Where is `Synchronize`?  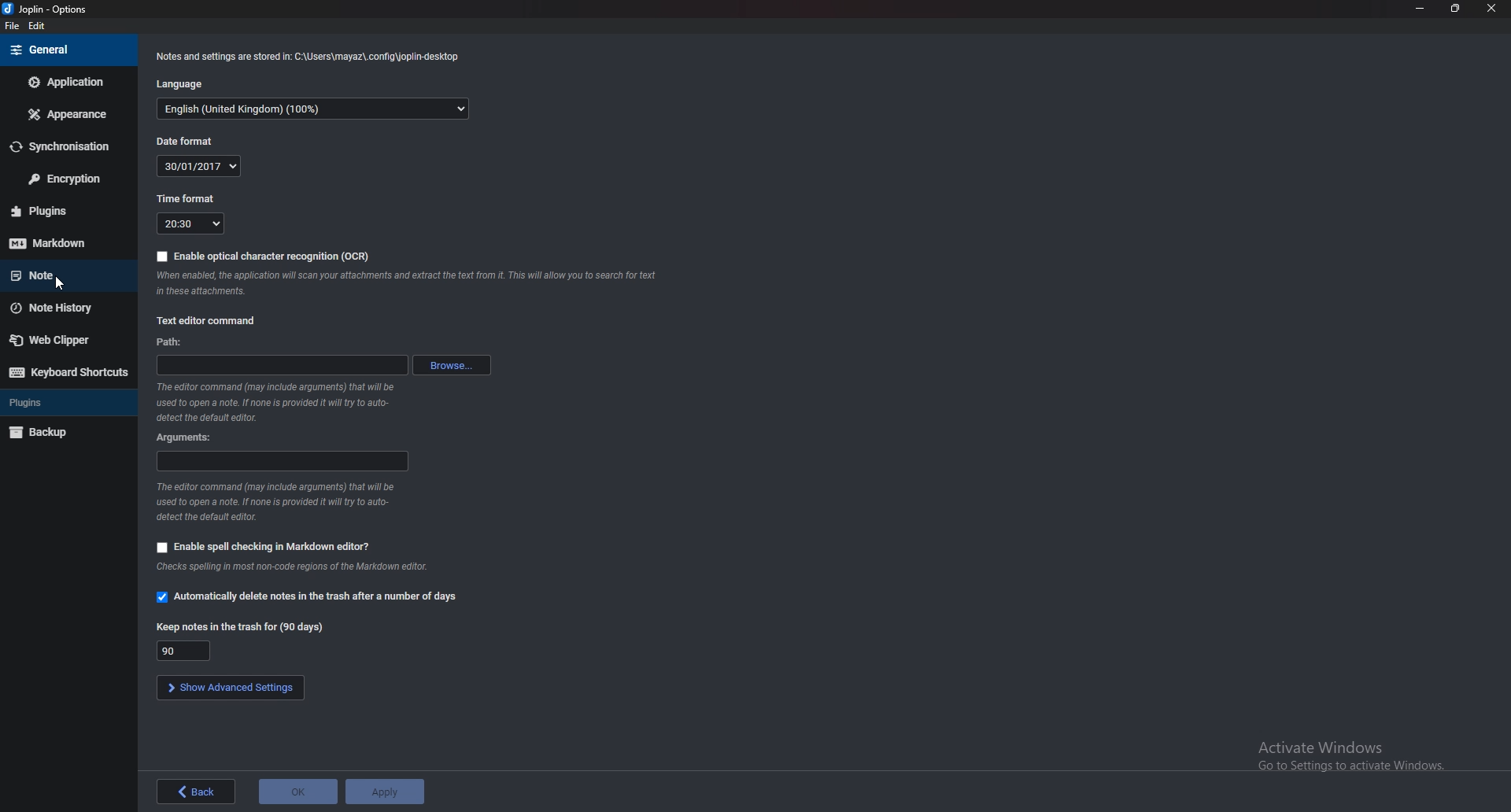 Synchronize is located at coordinates (64, 147).